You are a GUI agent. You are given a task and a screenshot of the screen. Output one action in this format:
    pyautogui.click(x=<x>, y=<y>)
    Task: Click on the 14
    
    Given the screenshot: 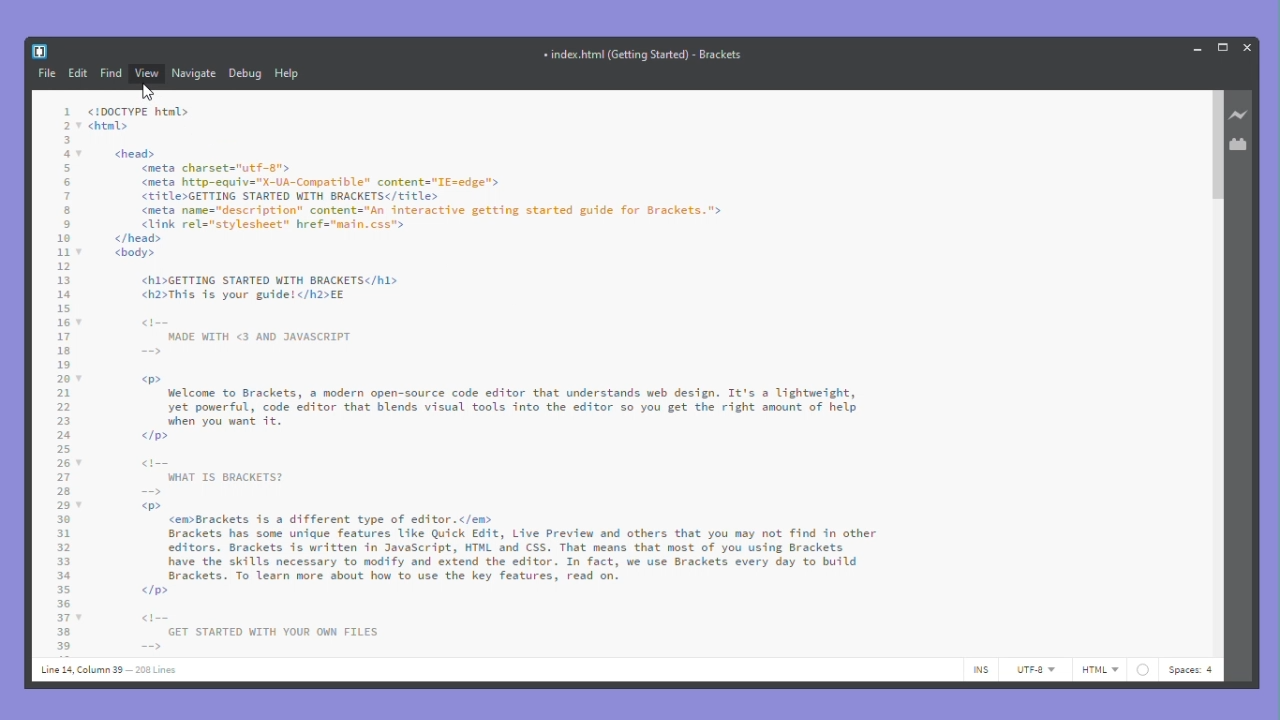 What is the action you would take?
    pyautogui.click(x=63, y=294)
    